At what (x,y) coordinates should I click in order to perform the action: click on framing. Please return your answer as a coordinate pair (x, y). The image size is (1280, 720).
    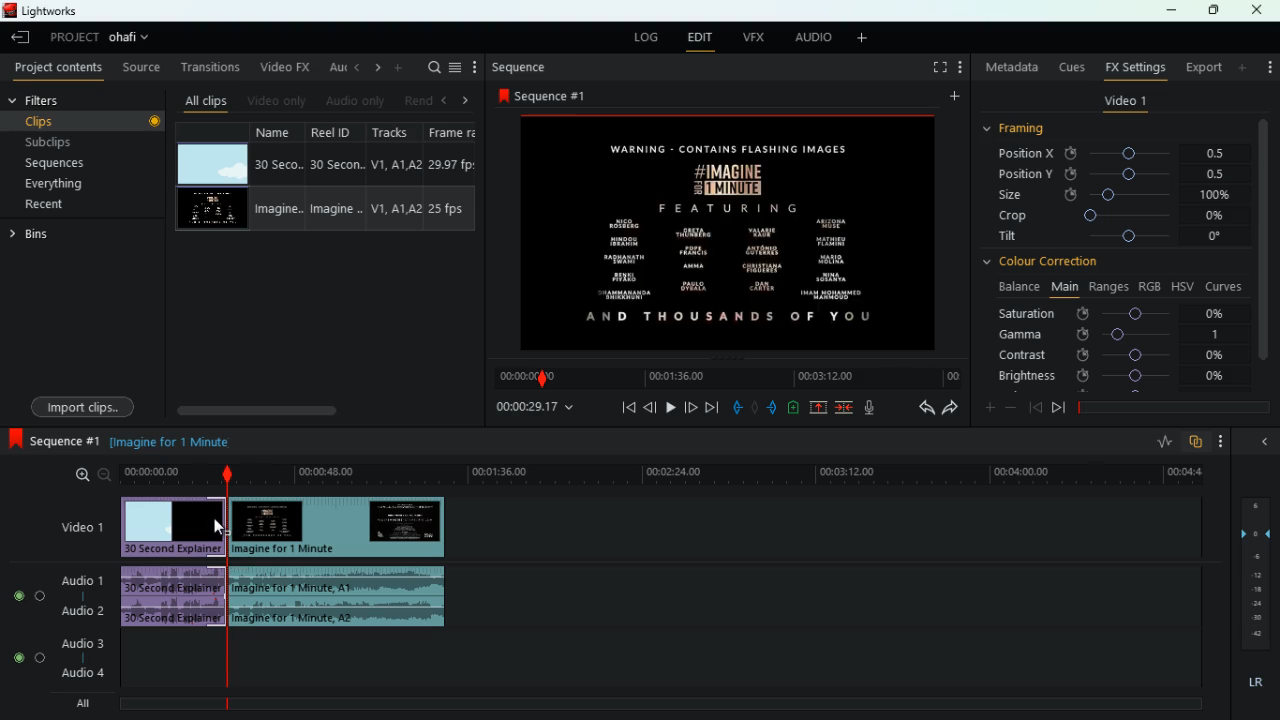
    Looking at the image, I should click on (1026, 129).